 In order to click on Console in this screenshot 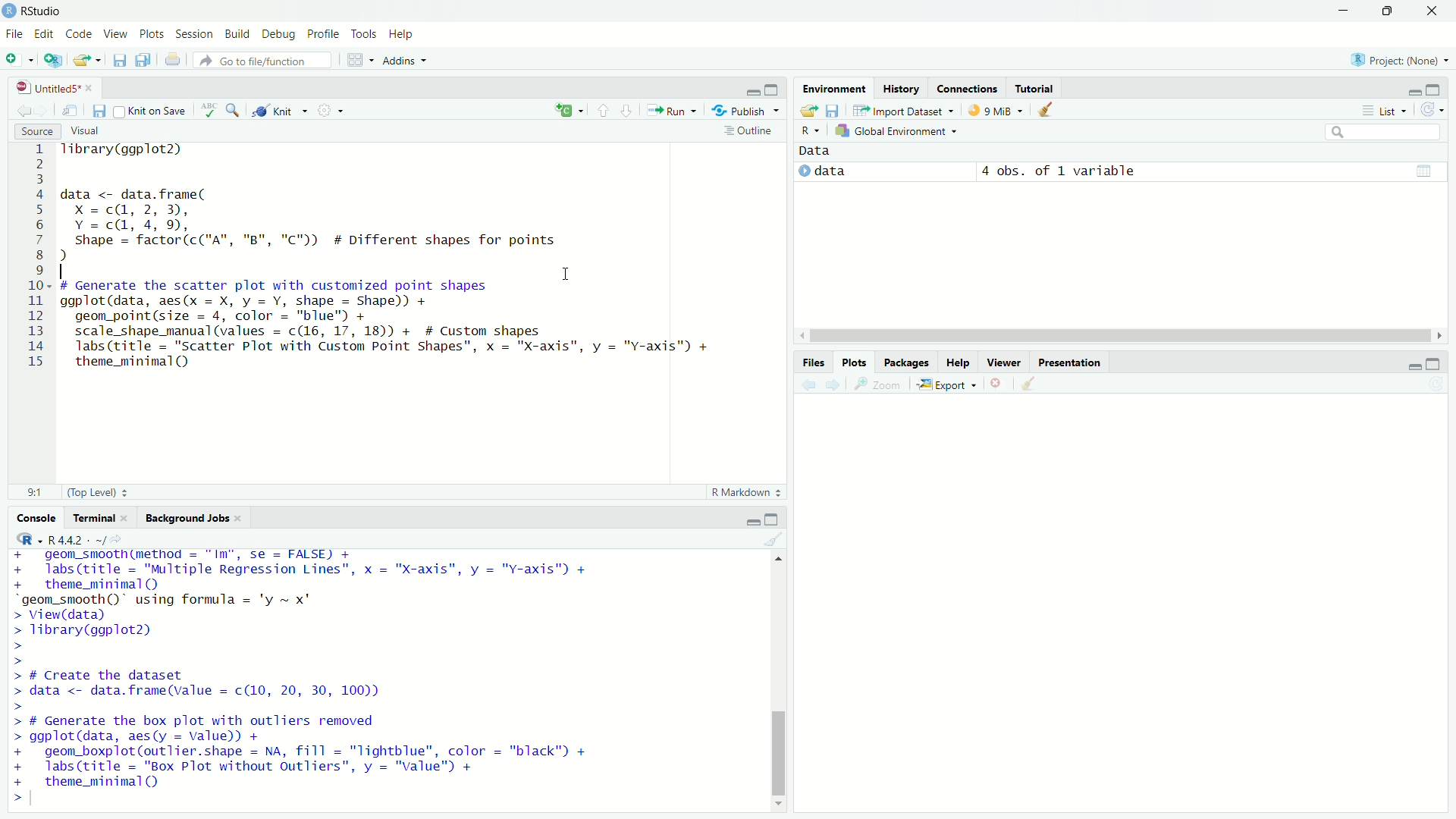, I will do `click(36, 518)`.